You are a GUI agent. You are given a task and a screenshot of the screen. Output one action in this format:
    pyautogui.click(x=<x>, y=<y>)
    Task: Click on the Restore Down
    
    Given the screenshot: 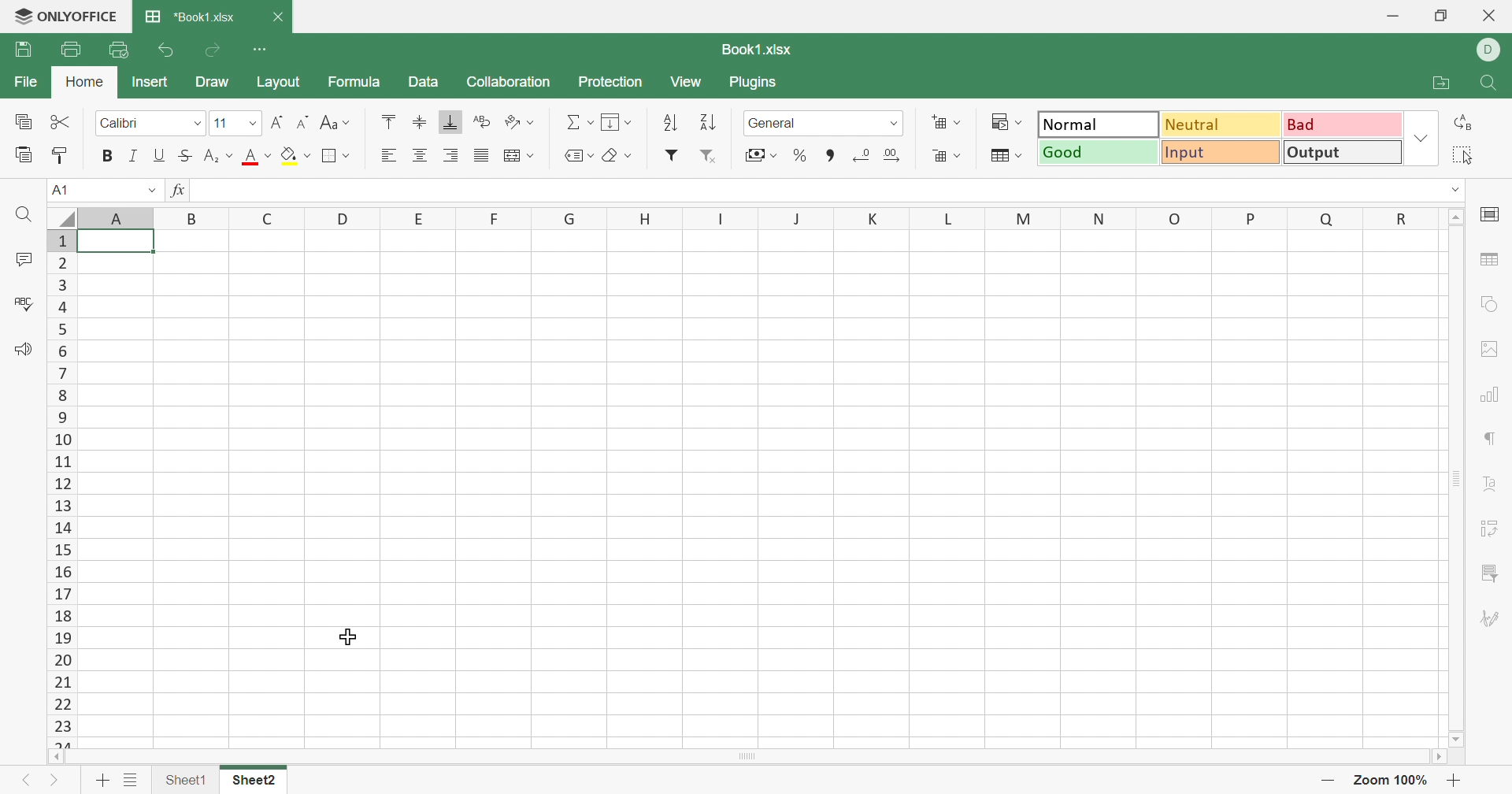 What is the action you would take?
    pyautogui.click(x=1439, y=13)
    